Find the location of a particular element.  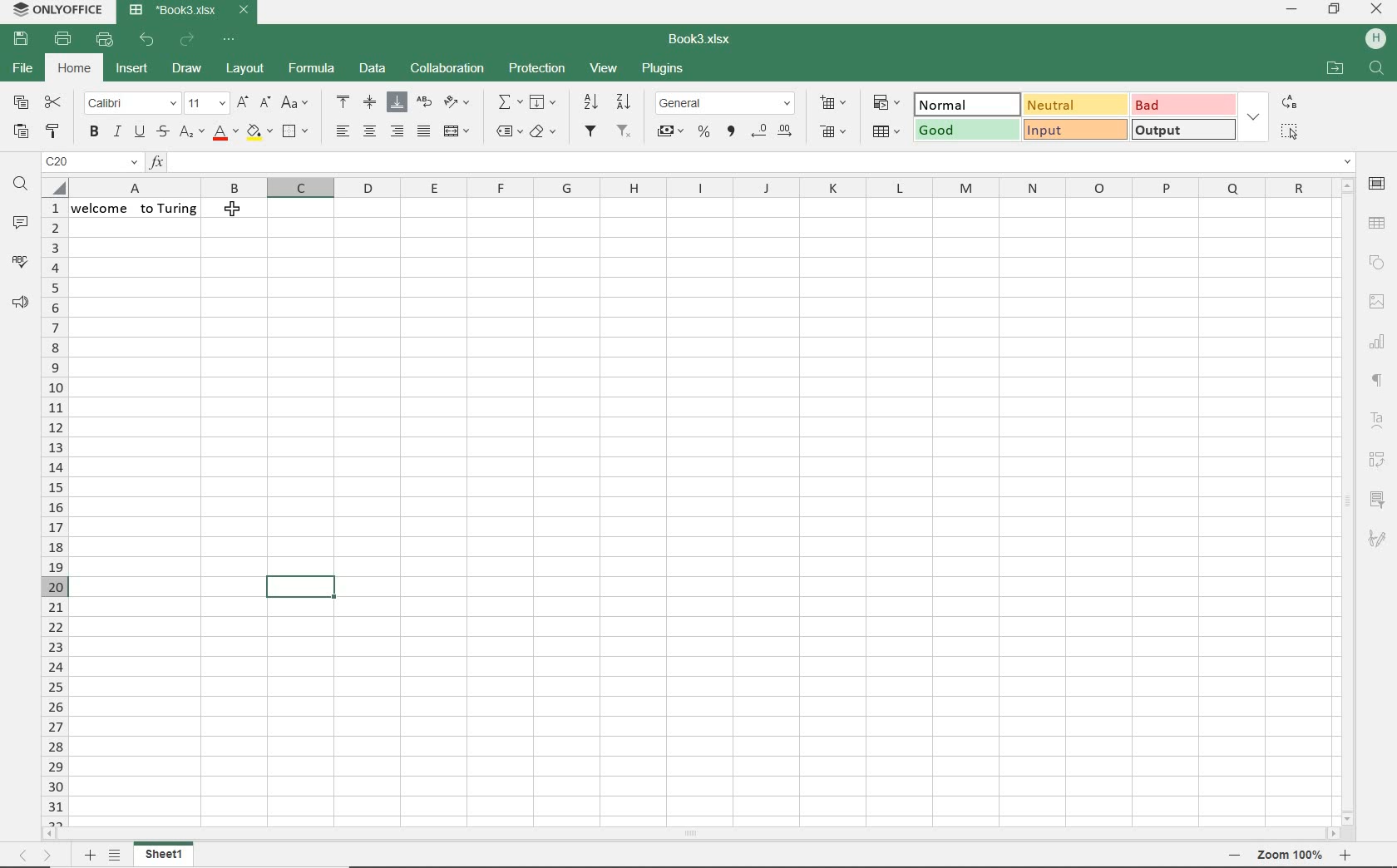

format as table template is located at coordinates (886, 132).